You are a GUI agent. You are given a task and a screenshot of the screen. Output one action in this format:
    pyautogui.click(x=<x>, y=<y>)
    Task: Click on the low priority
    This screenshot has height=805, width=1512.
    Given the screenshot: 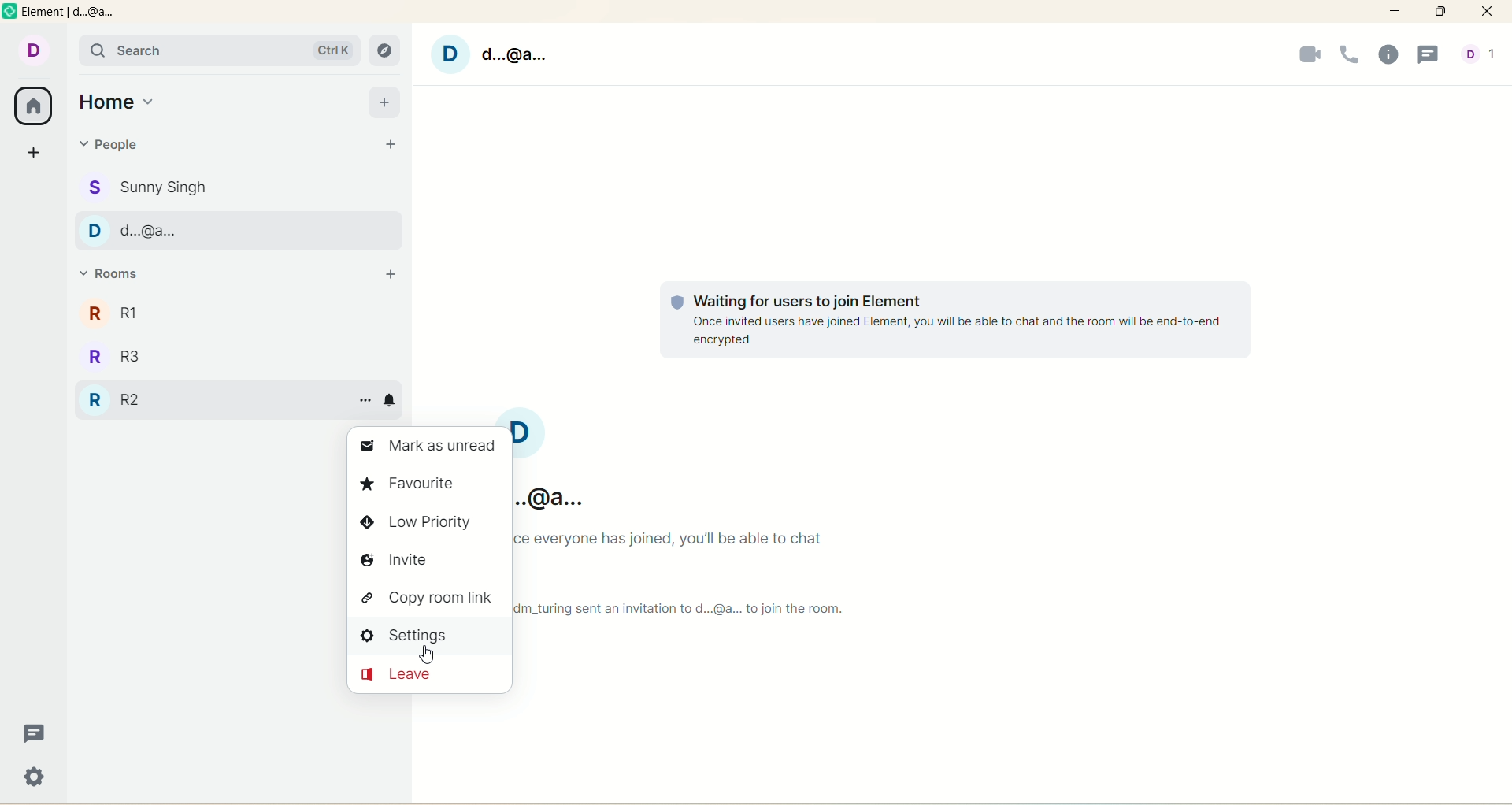 What is the action you would take?
    pyautogui.click(x=432, y=525)
    